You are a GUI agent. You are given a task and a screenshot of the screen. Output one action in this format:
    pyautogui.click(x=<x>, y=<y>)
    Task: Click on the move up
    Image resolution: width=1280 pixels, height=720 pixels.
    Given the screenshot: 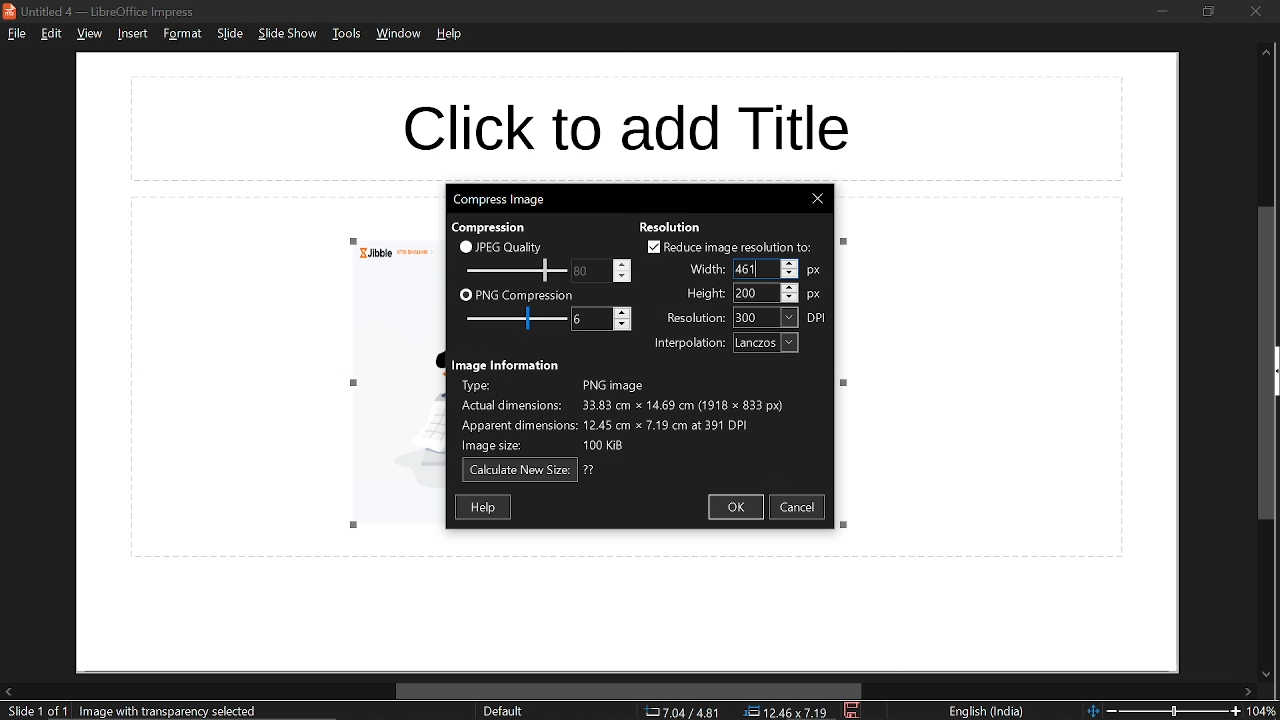 What is the action you would take?
    pyautogui.click(x=1266, y=56)
    